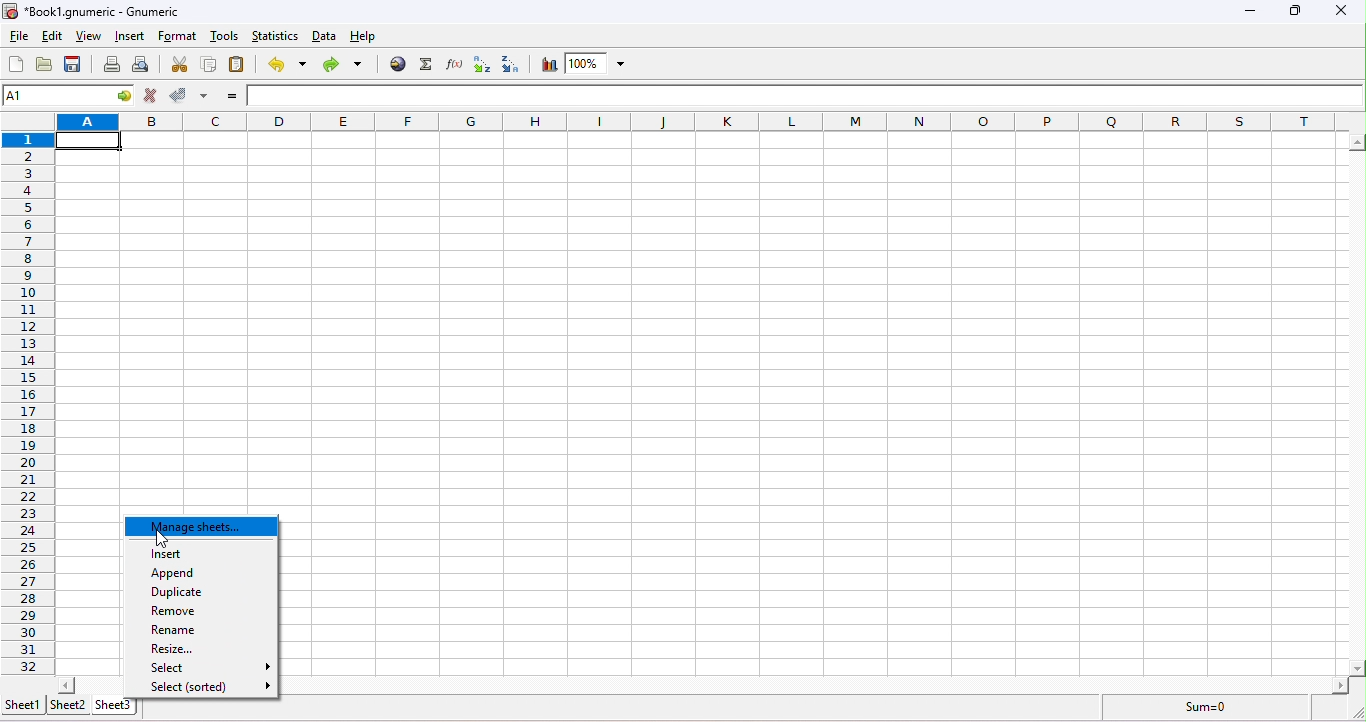 The width and height of the screenshot is (1366, 722). What do you see at coordinates (193, 610) in the screenshot?
I see `remove` at bounding box center [193, 610].